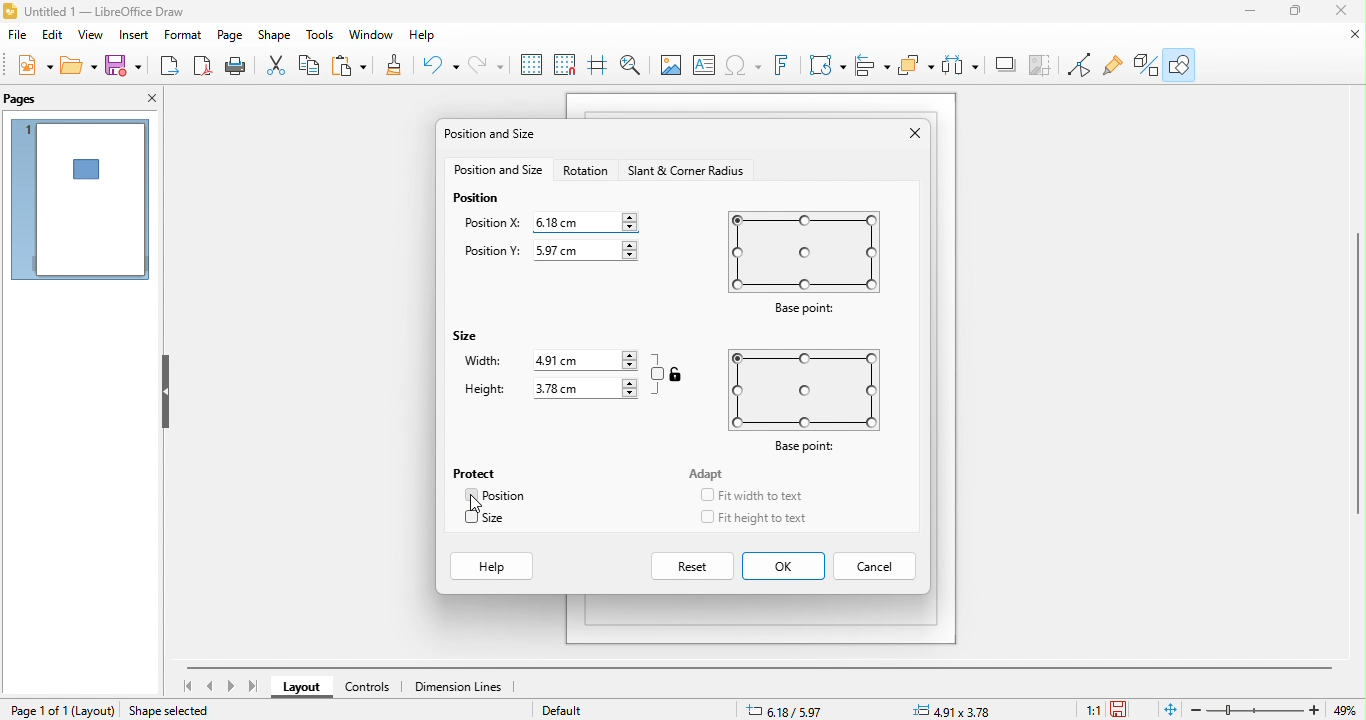  Describe the element at coordinates (812, 709) in the screenshot. I see `7.75/8.45` at that location.